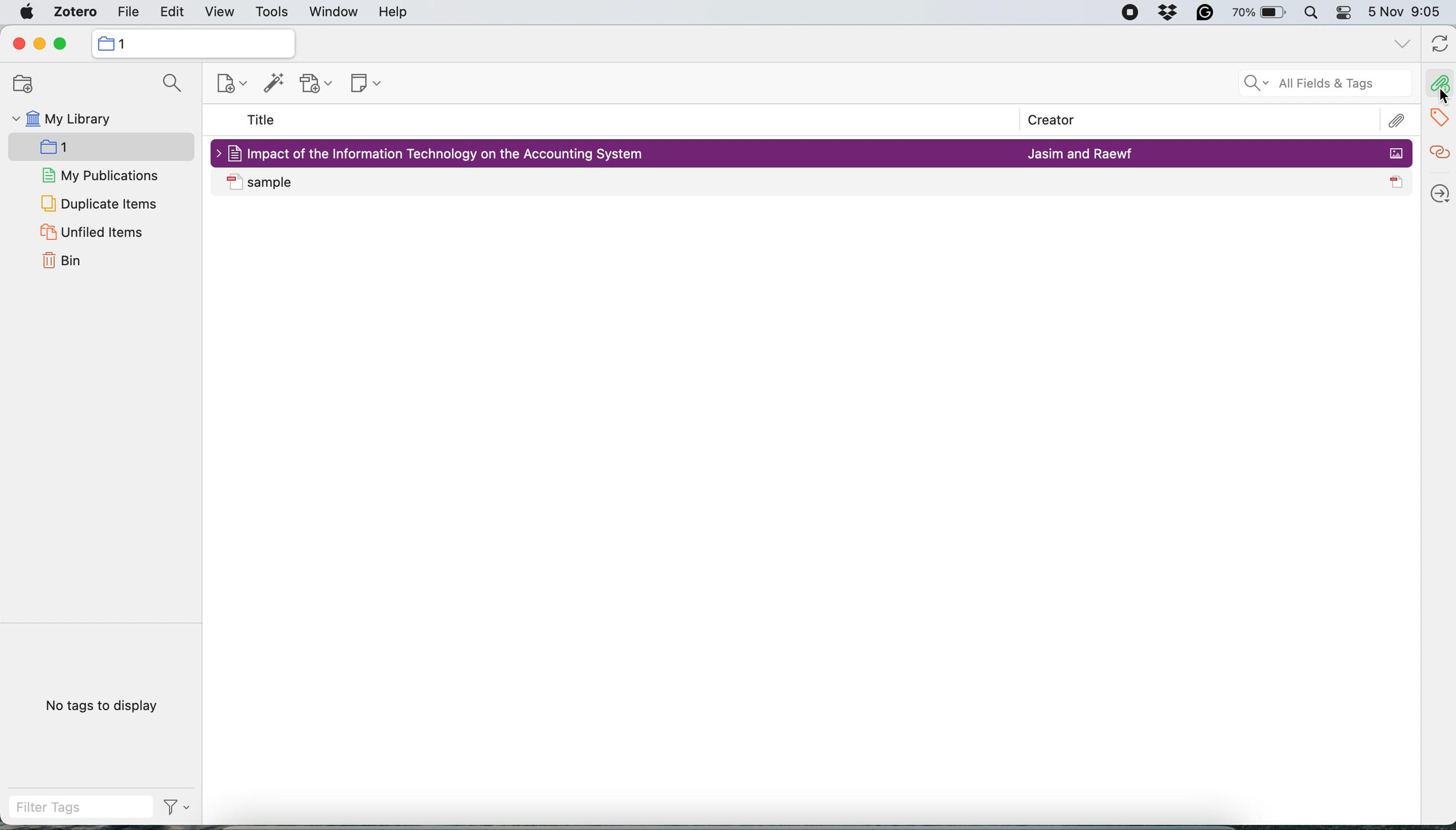 The width and height of the screenshot is (1456, 830). I want to click on dropbox, so click(1170, 14).